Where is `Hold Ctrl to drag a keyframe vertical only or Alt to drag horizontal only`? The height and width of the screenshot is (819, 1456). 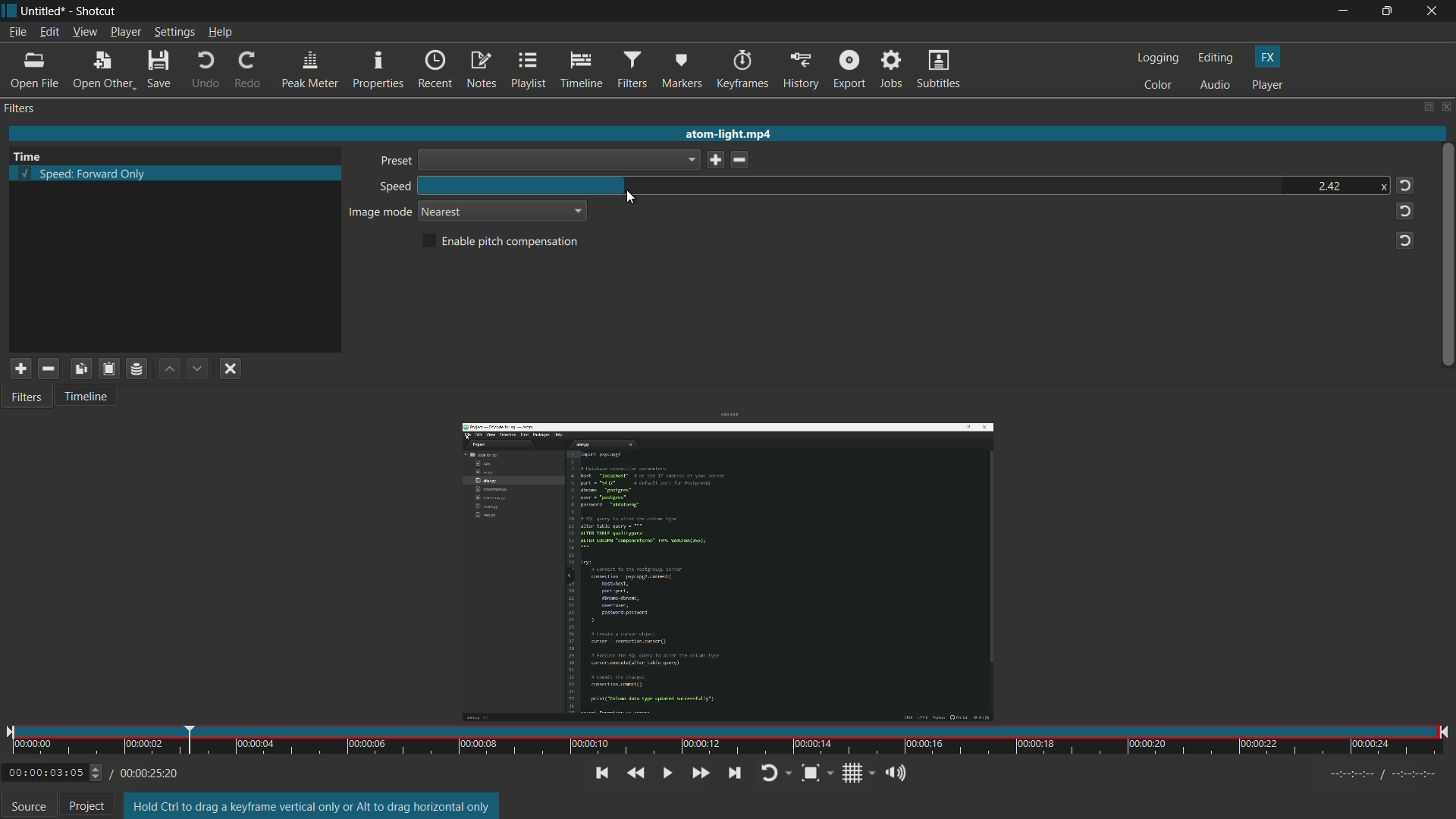
Hold Ctrl to drag a keyframe vertical only or Alt to drag horizontal only is located at coordinates (313, 806).